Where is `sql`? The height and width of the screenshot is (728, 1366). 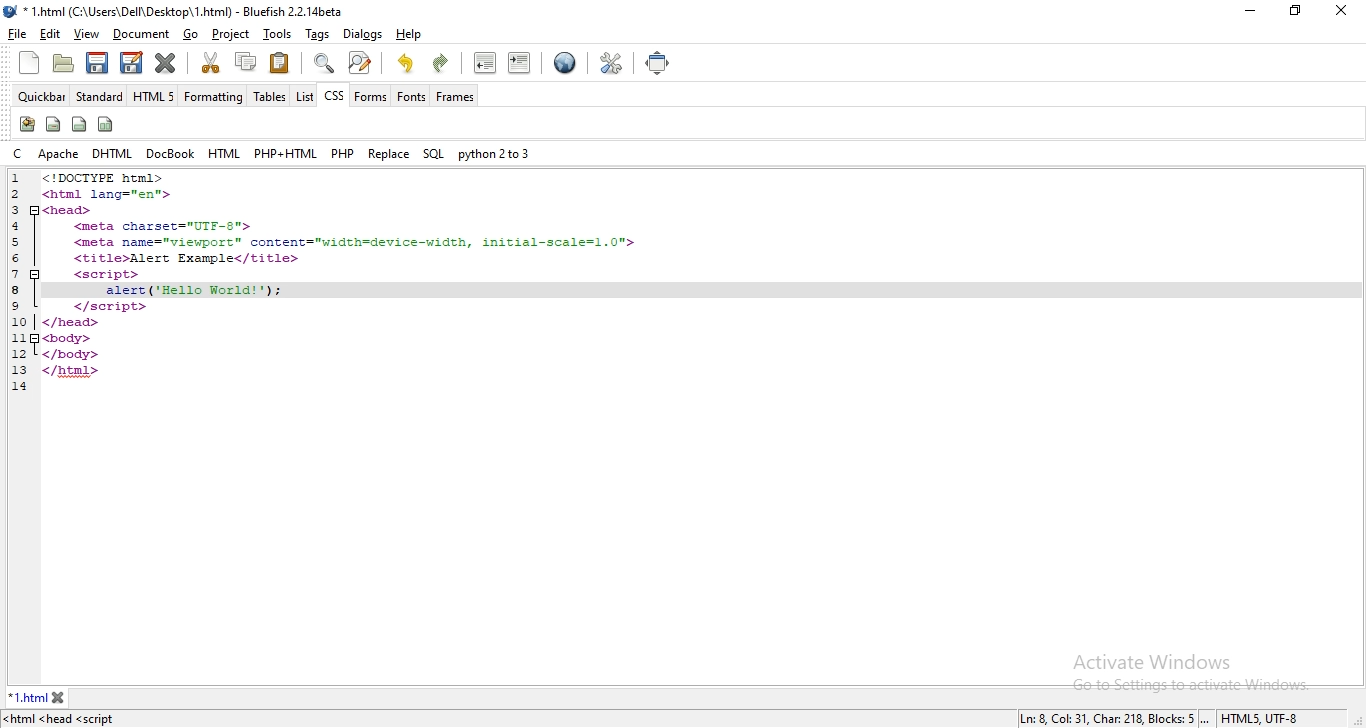
sql is located at coordinates (433, 154).